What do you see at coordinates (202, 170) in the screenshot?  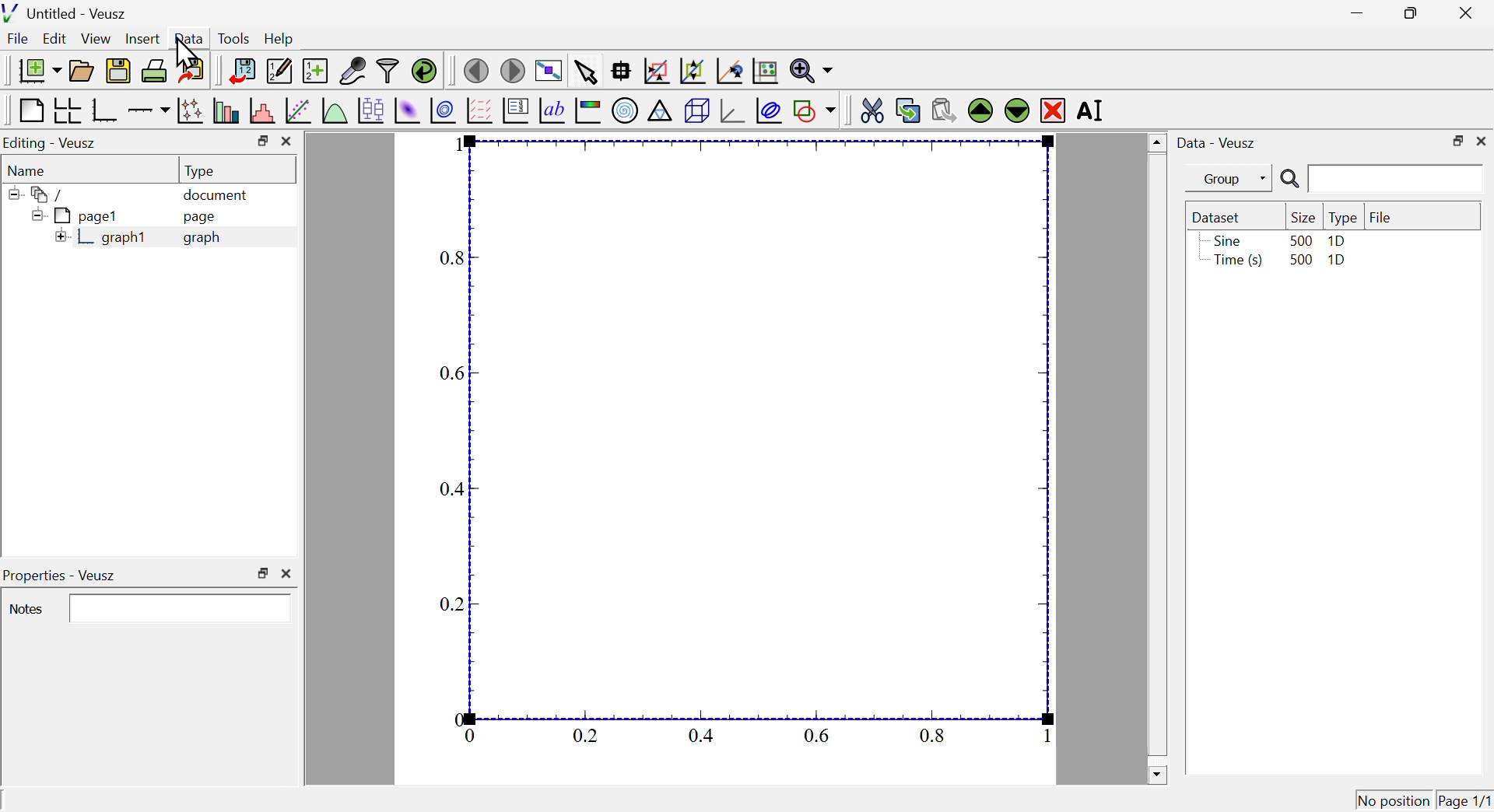 I see `type` at bounding box center [202, 170].